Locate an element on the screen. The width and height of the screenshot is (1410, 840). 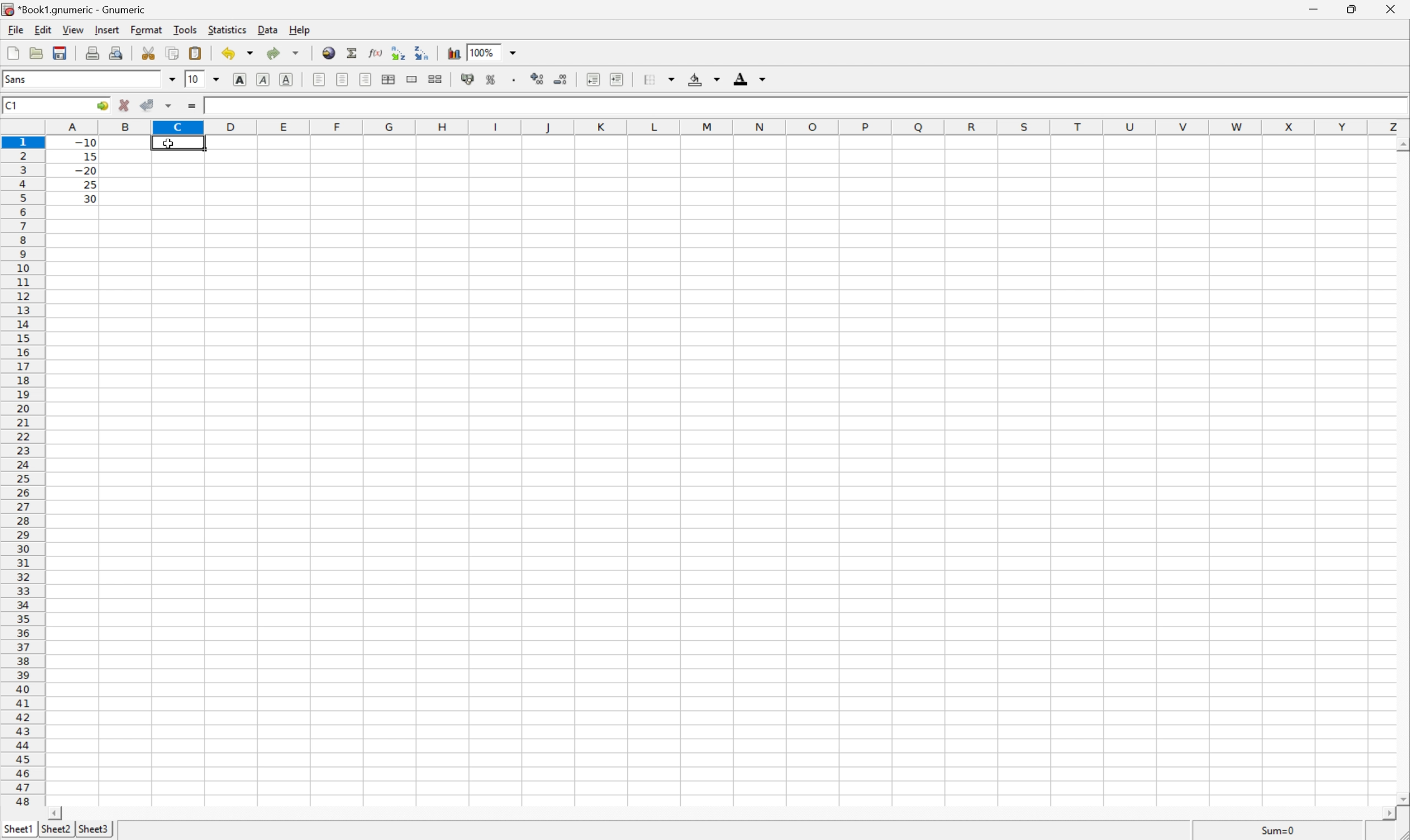
Column names is located at coordinates (728, 126).